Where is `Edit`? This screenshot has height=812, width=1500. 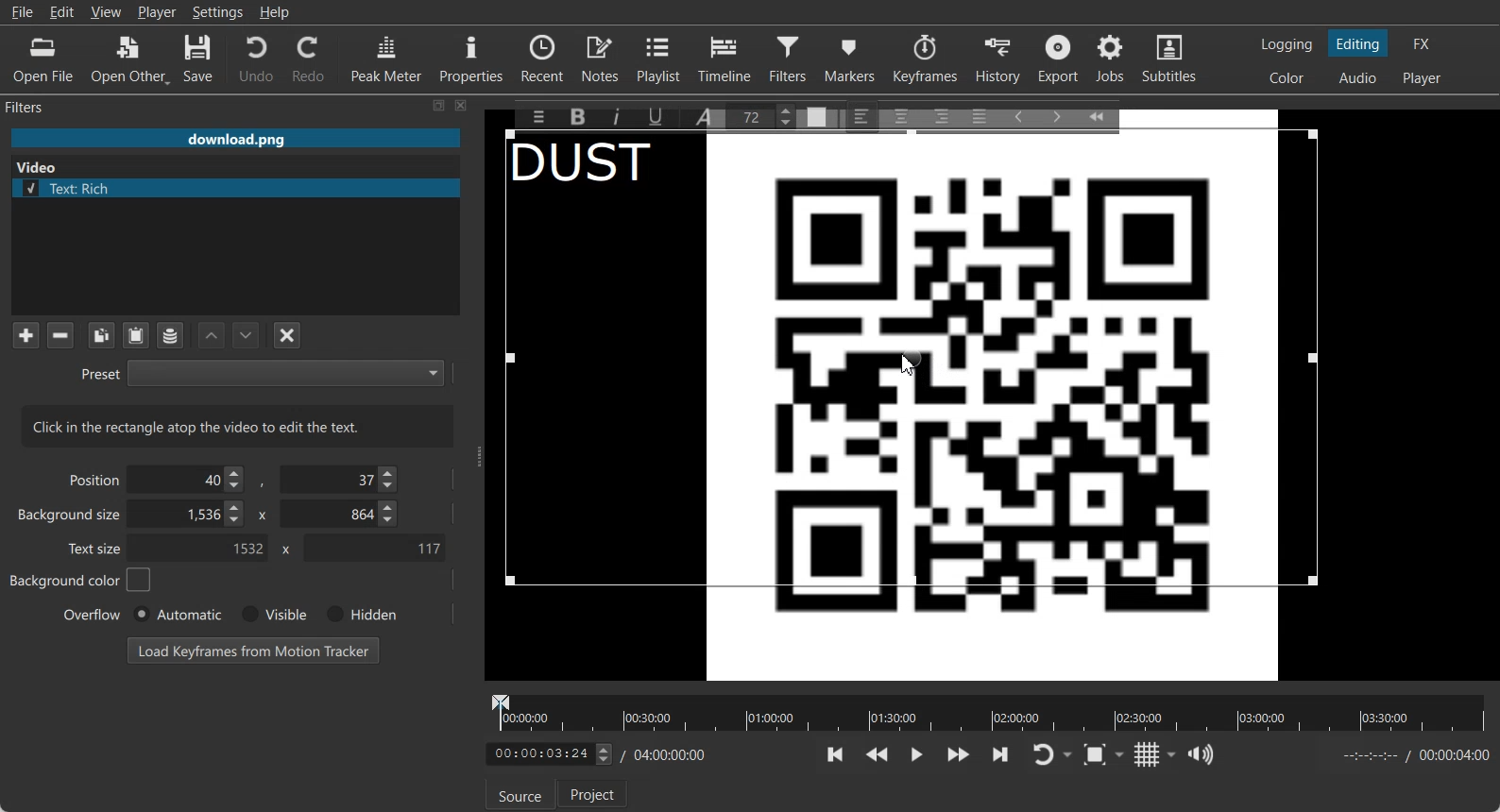 Edit is located at coordinates (62, 11).